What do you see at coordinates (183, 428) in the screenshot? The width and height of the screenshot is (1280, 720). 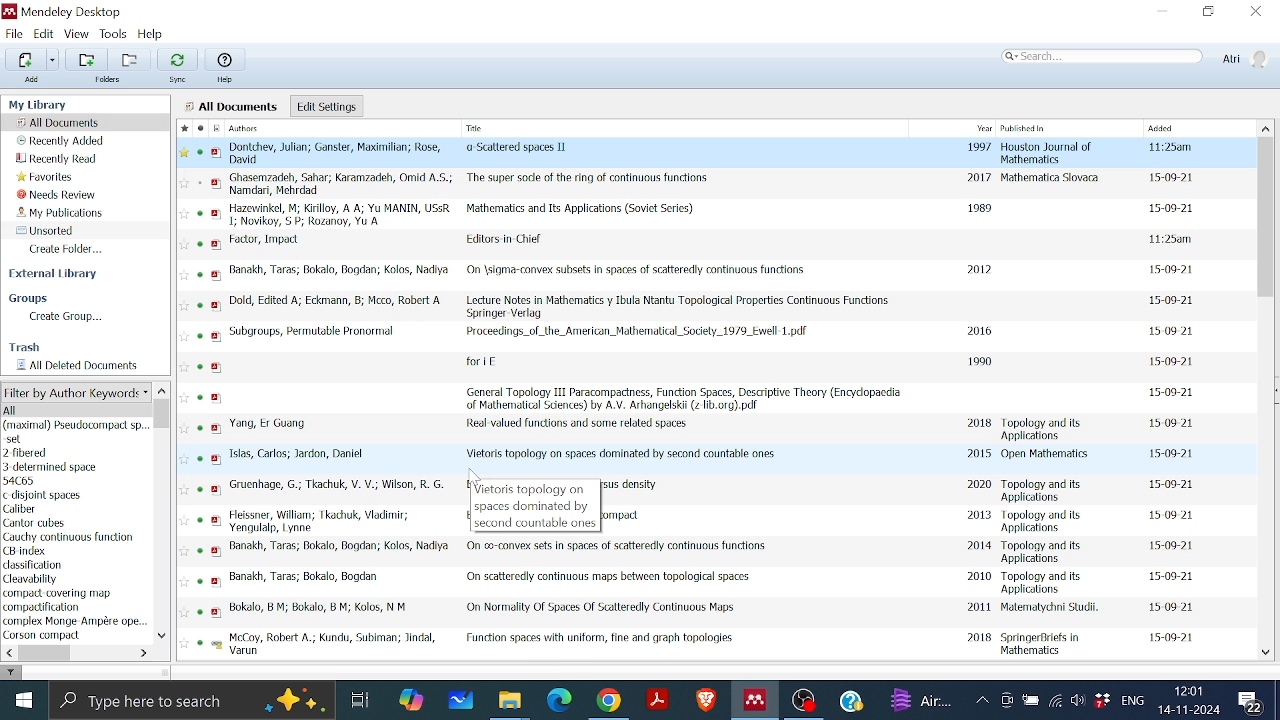 I see `Favourite` at bounding box center [183, 428].